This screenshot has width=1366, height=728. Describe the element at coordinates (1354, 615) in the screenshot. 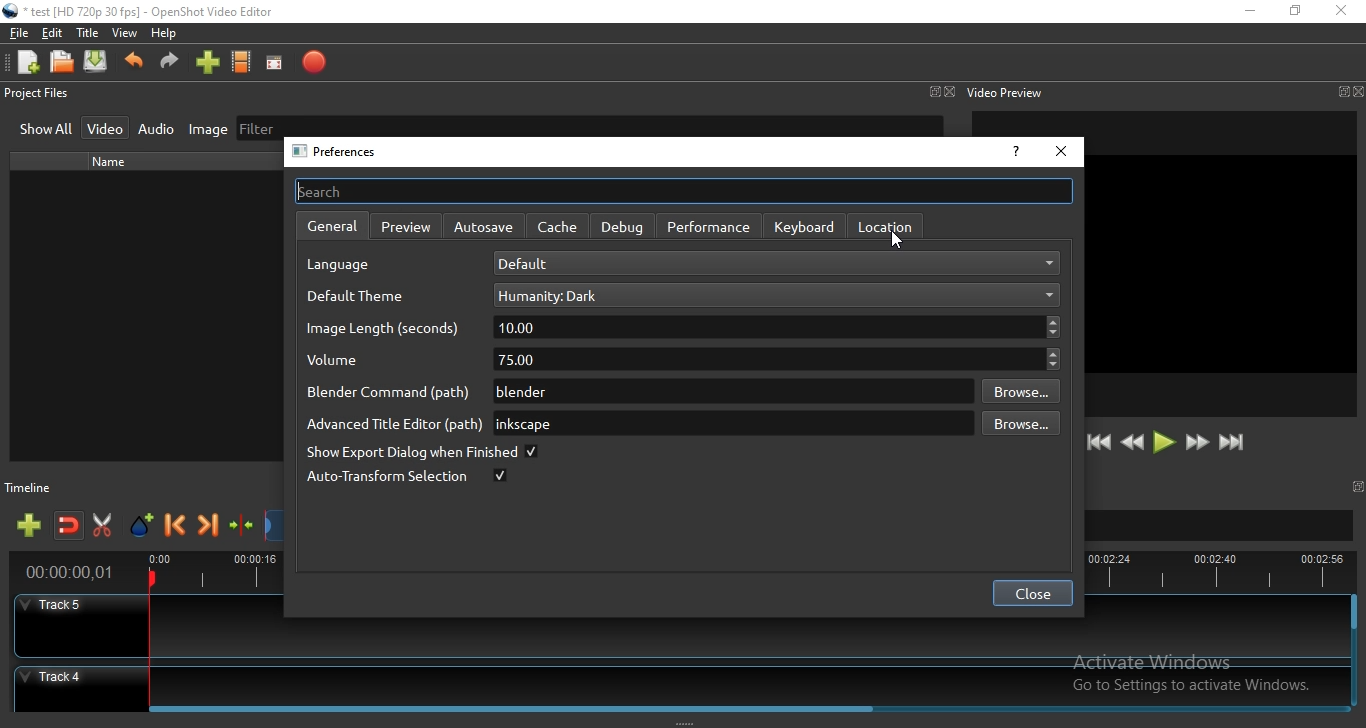

I see `vertical scroll bar` at that location.